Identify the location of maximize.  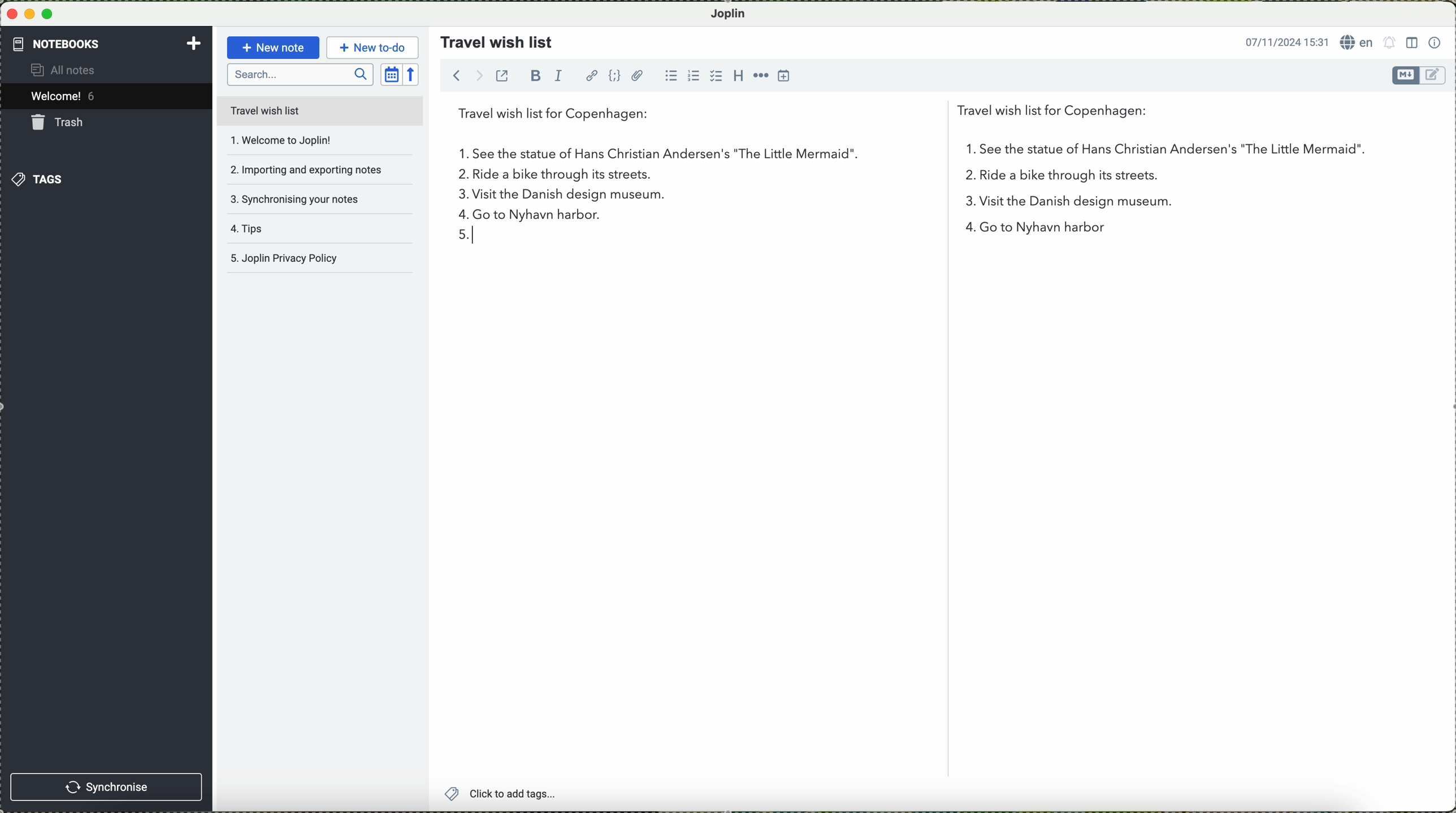
(50, 14).